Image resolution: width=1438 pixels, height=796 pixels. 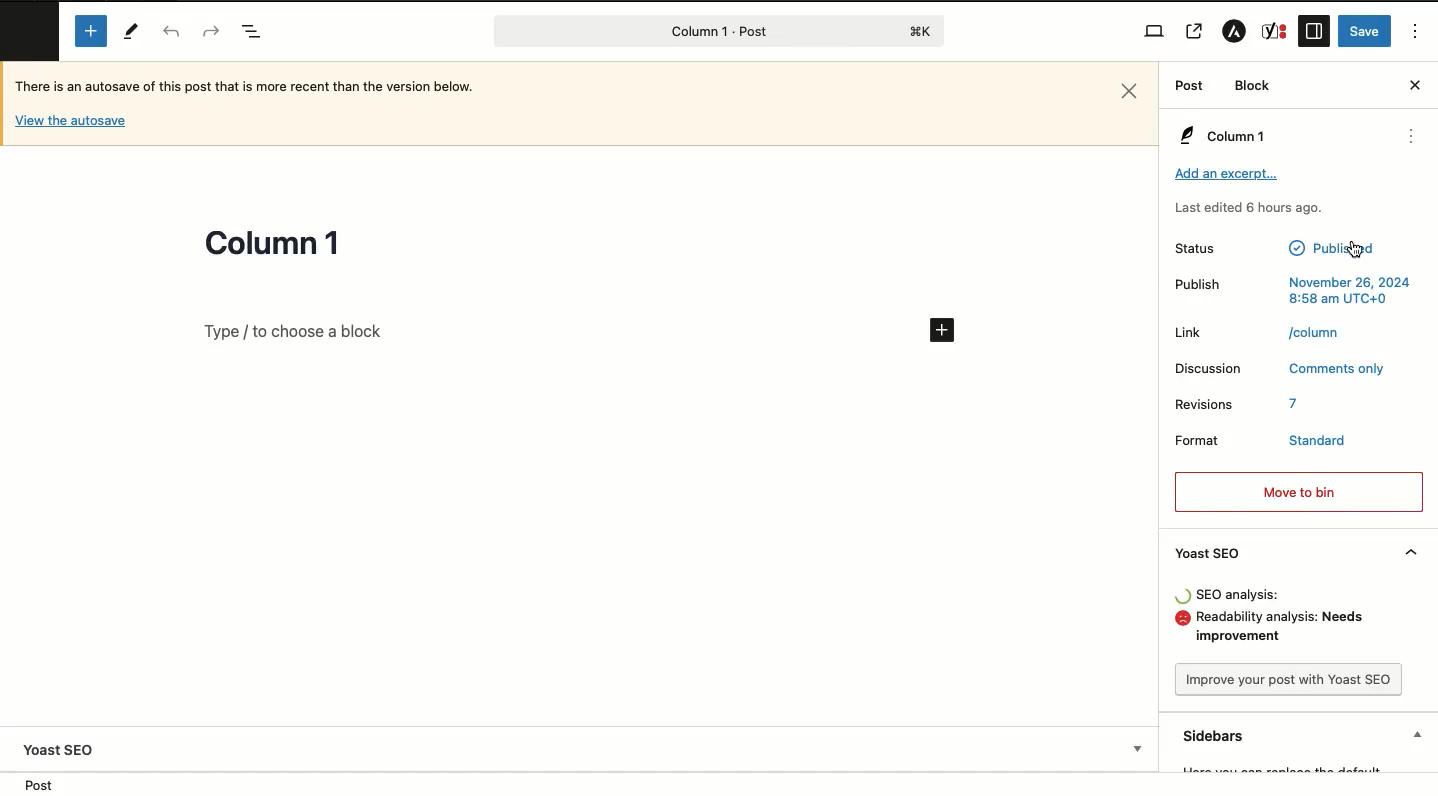 What do you see at coordinates (1253, 85) in the screenshot?
I see `Block` at bounding box center [1253, 85].